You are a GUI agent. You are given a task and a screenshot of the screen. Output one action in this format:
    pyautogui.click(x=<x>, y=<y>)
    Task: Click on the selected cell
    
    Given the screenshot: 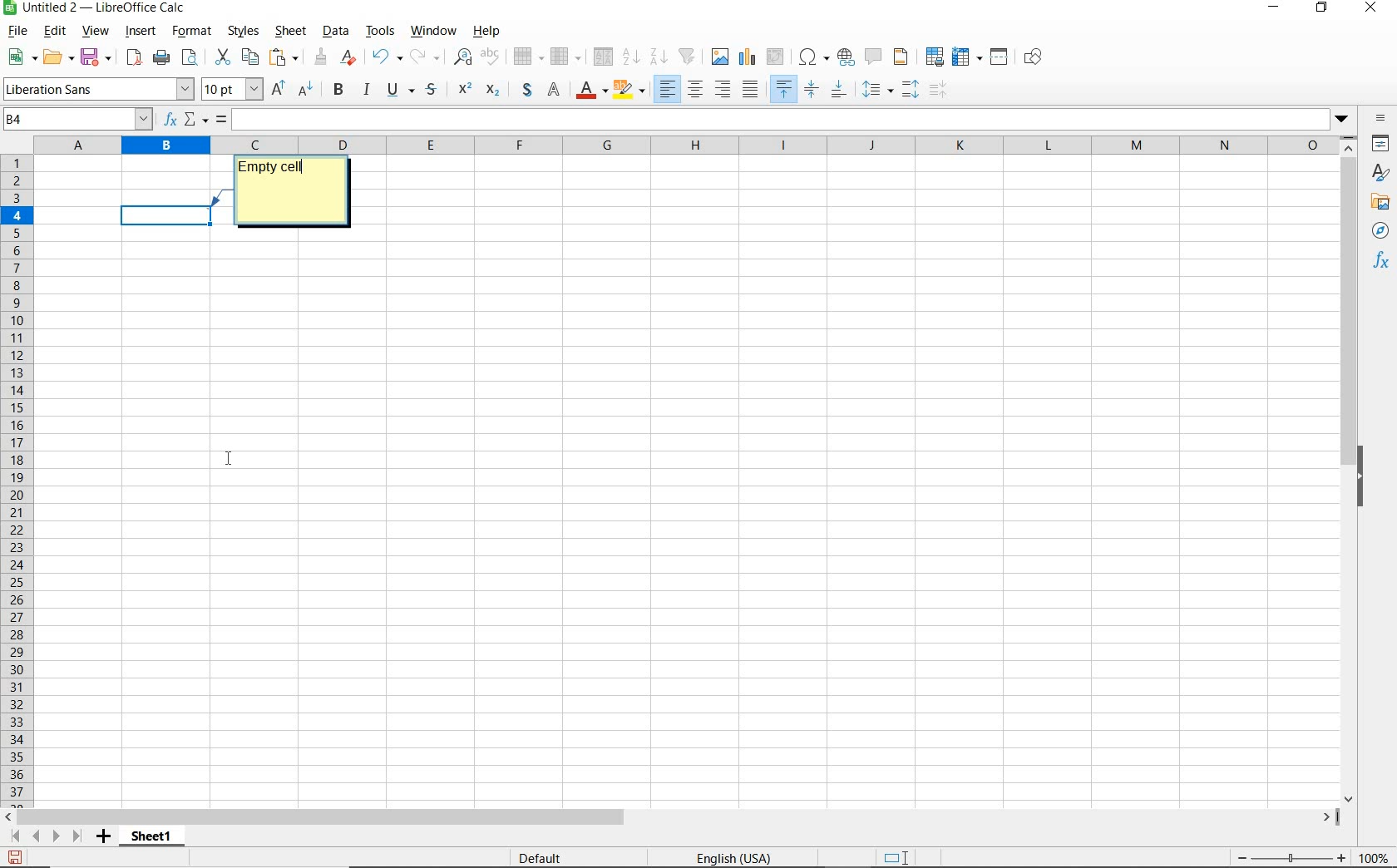 What is the action you would take?
    pyautogui.click(x=166, y=216)
    